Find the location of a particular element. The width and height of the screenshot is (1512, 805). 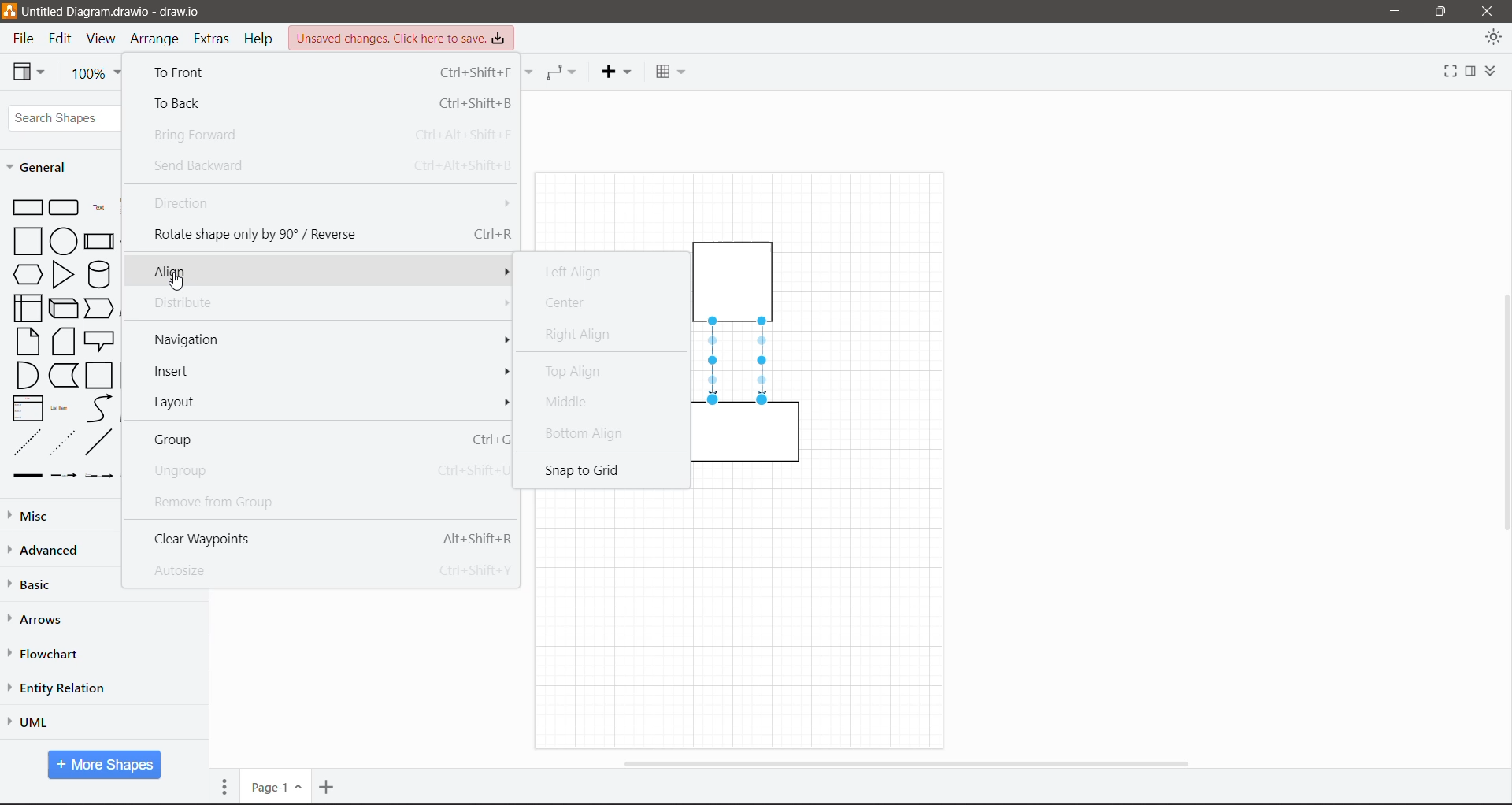

Rectangle is located at coordinates (27, 206).